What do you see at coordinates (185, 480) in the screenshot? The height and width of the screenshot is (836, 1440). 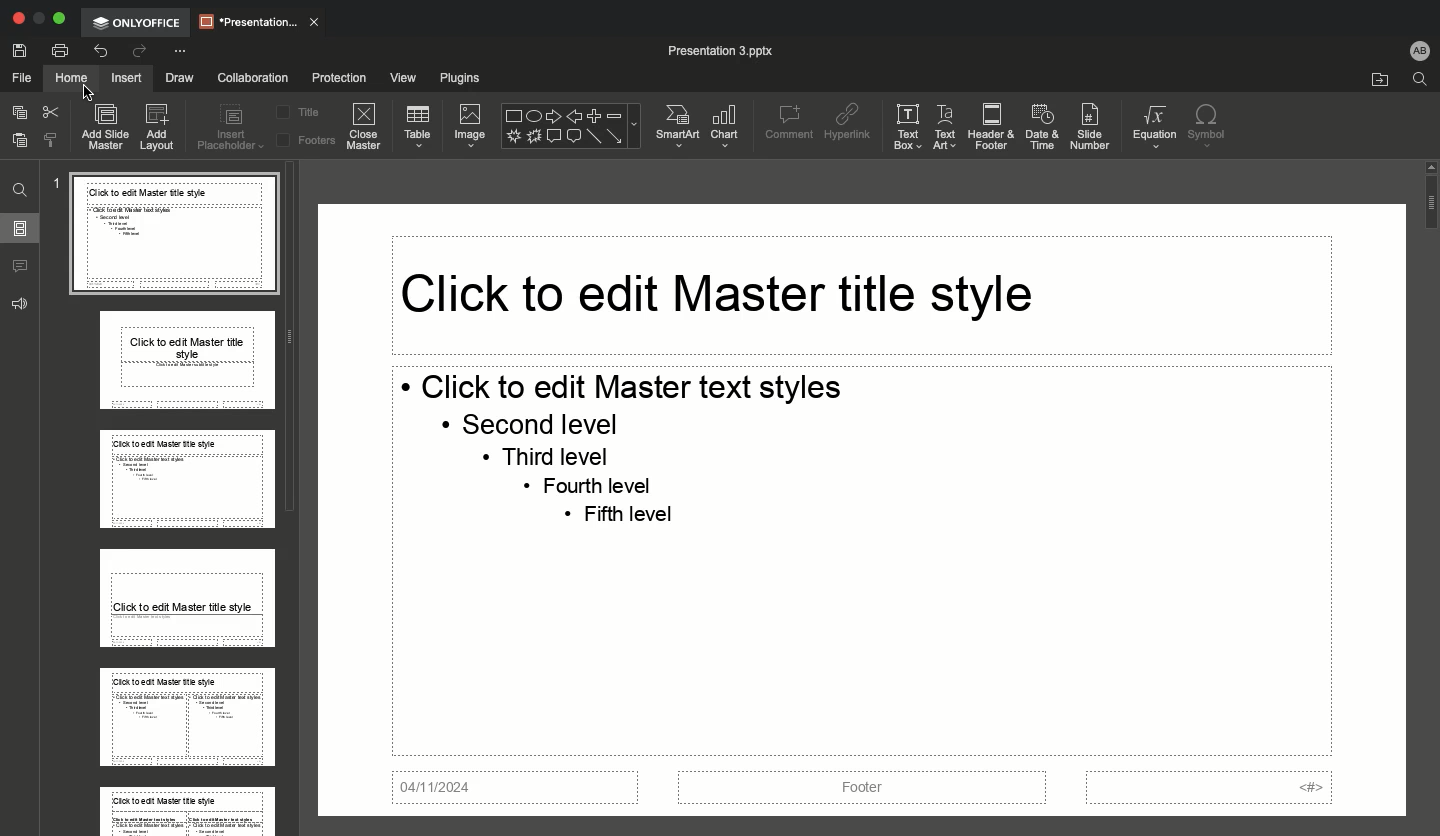 I see `Layout master slide 3` at bounding box center [185, 480].